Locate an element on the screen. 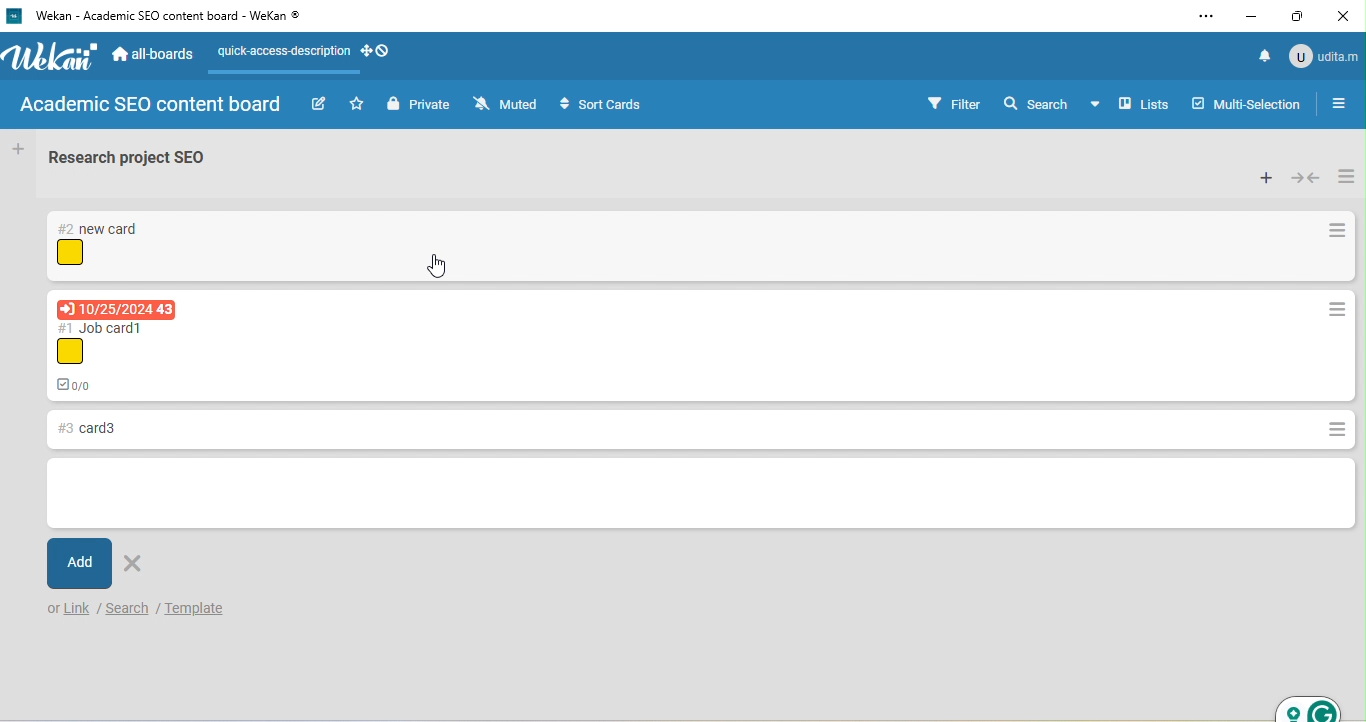 The height and width of the screenshot is (722, 1366). board view is located at coordinates (1131, 104).